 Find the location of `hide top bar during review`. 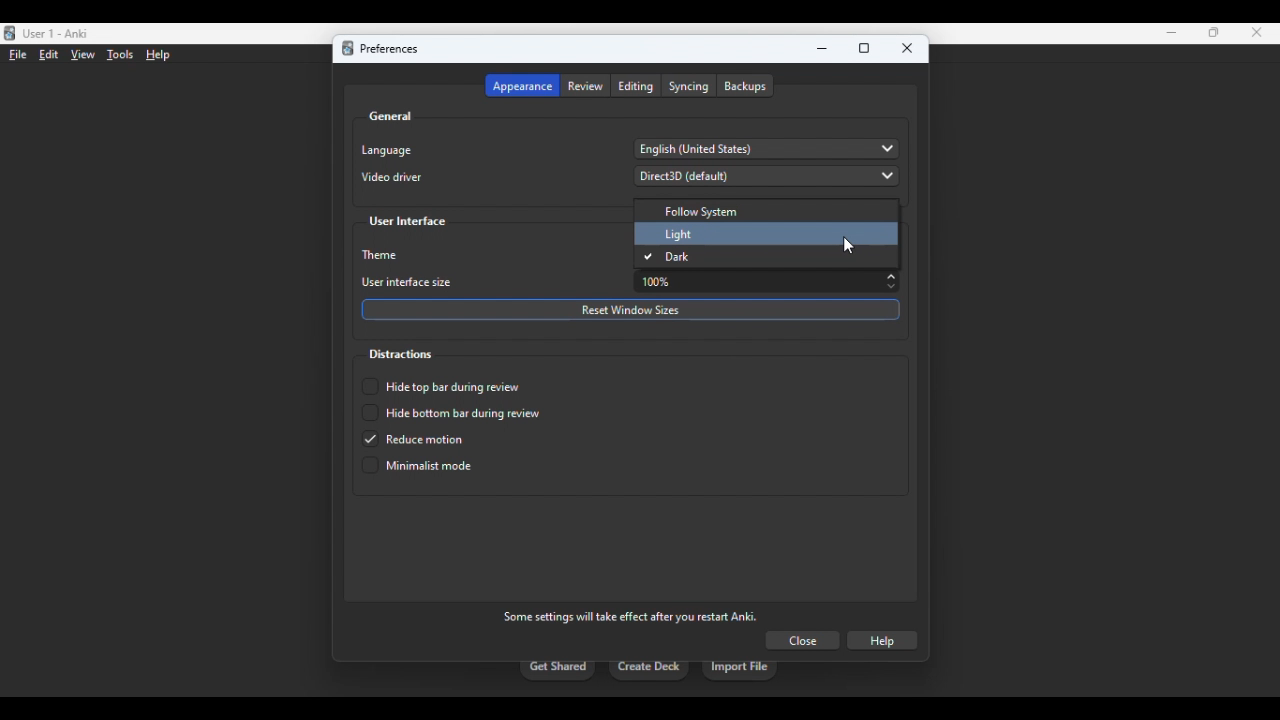

hide top bar during review is located at coordinates (441, 386).